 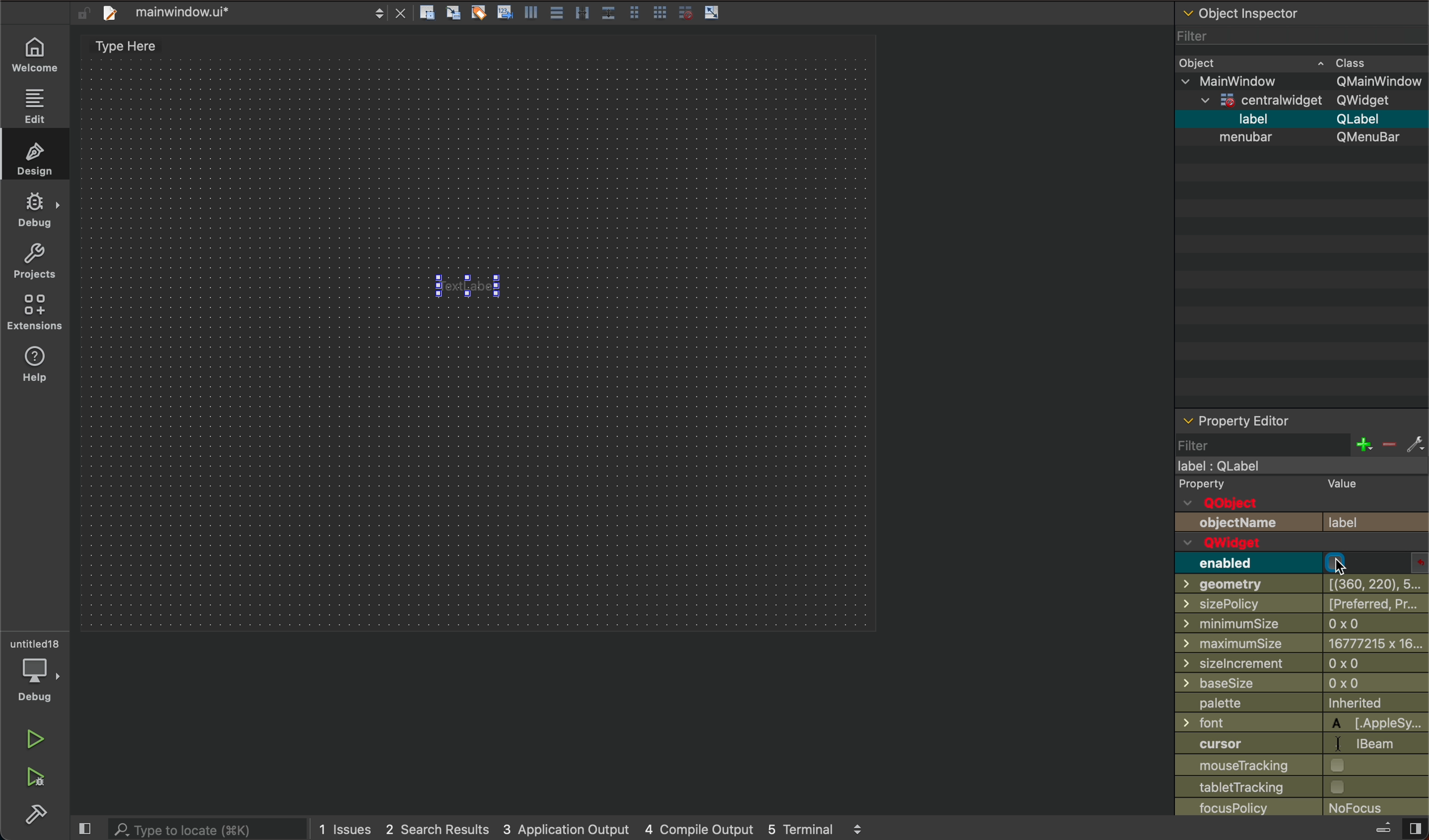 I want to click on Qlable, so click(x=1360, y=117).